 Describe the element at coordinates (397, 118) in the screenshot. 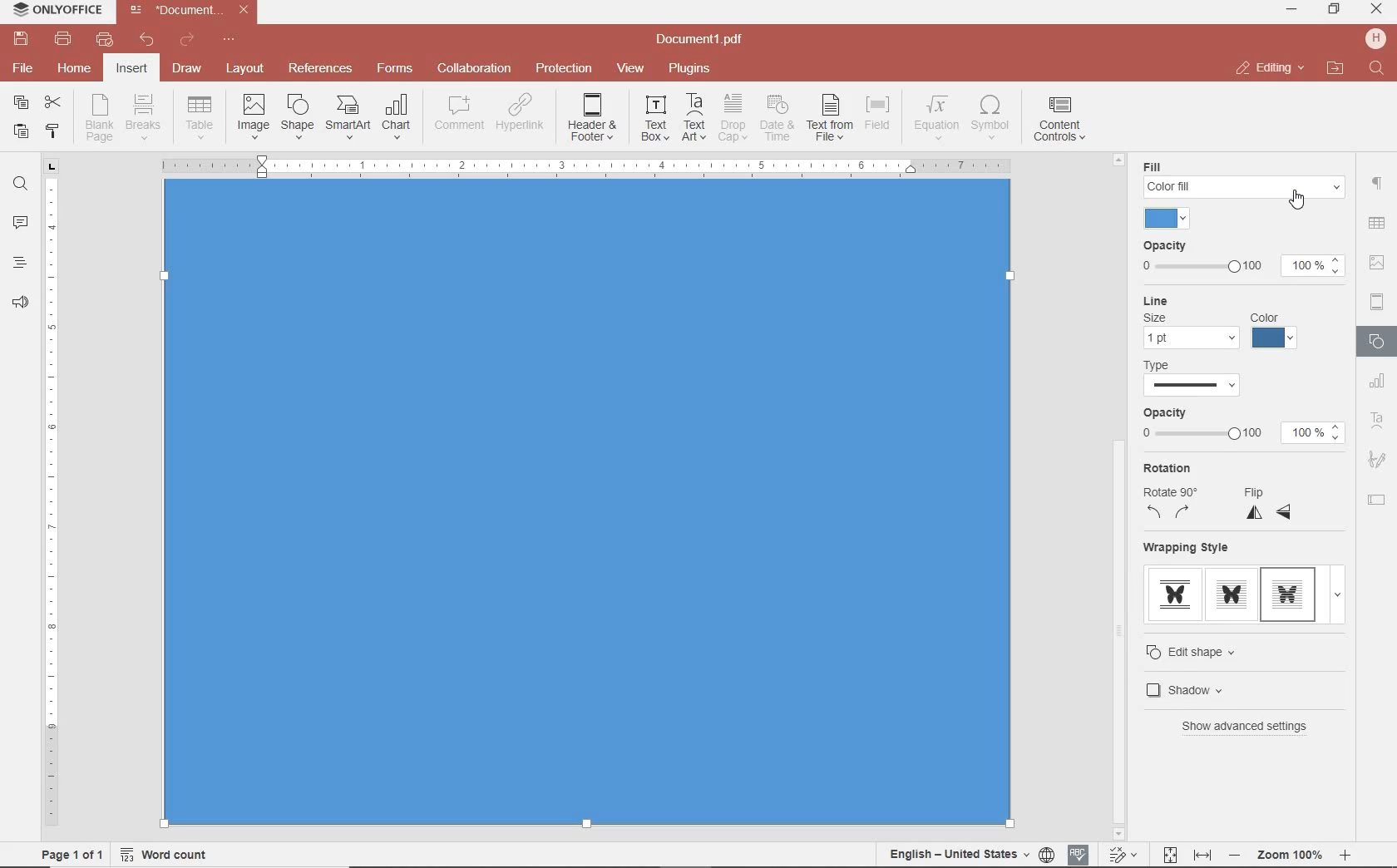

I see `INSERT CHAT` at that location.